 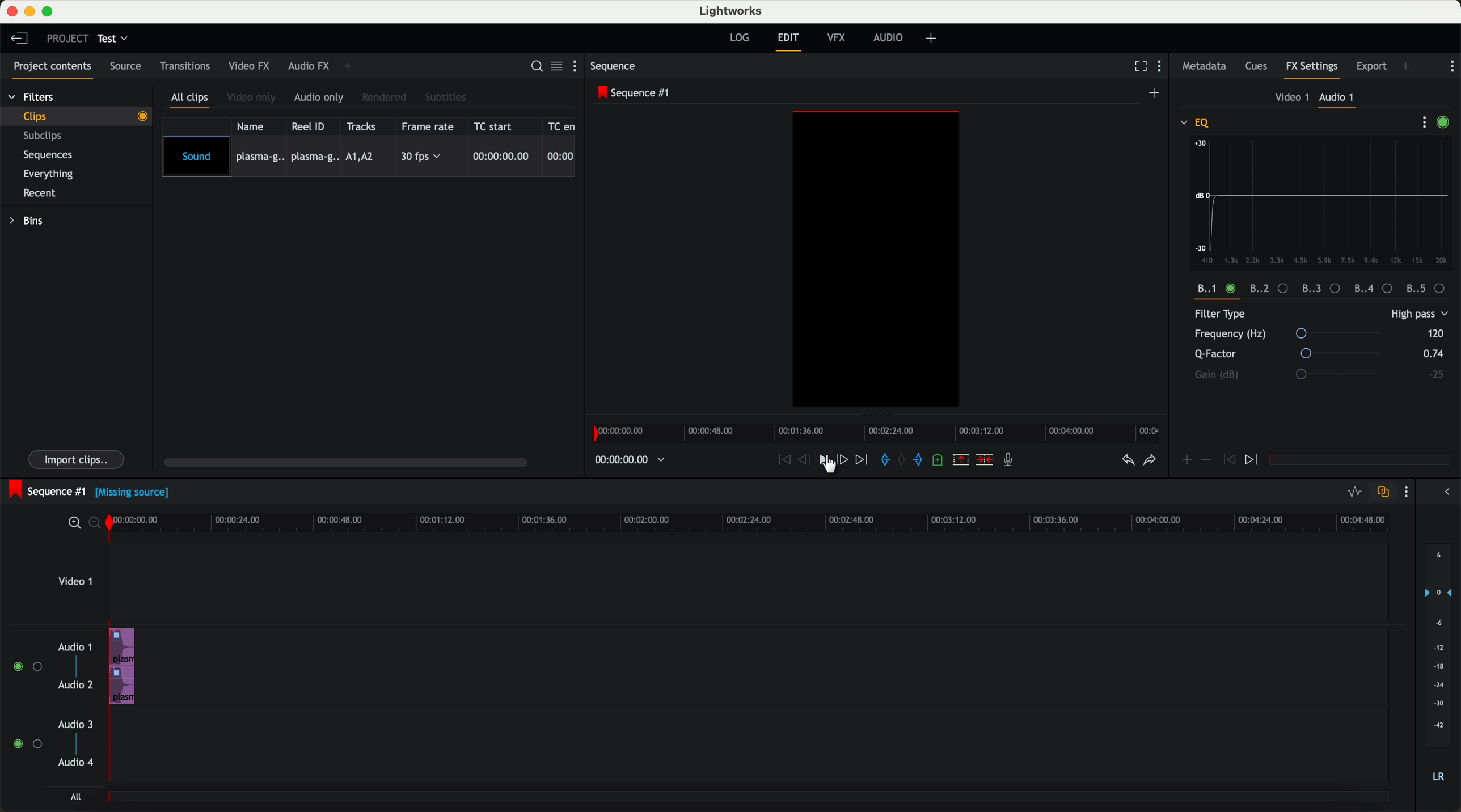 What do you see at coordinates (29, 12) in the screenshot?
I see `minimize` at bounding box center [29, 12].